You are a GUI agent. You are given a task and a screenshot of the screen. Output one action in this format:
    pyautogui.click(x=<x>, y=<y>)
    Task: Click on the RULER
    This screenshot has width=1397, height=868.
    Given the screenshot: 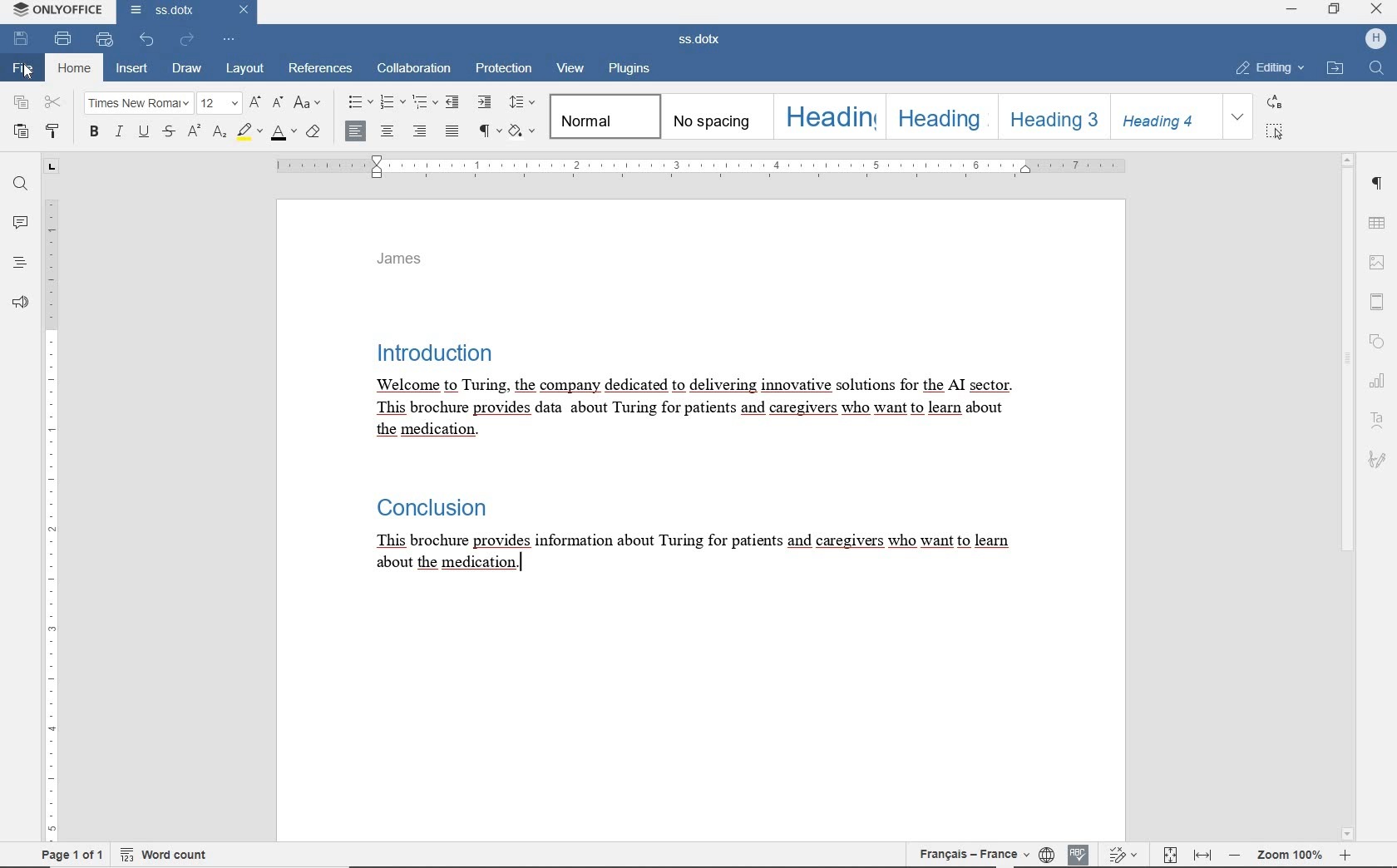 What is the action you would take?
    pyautogui.click(x=698, y=167)
    